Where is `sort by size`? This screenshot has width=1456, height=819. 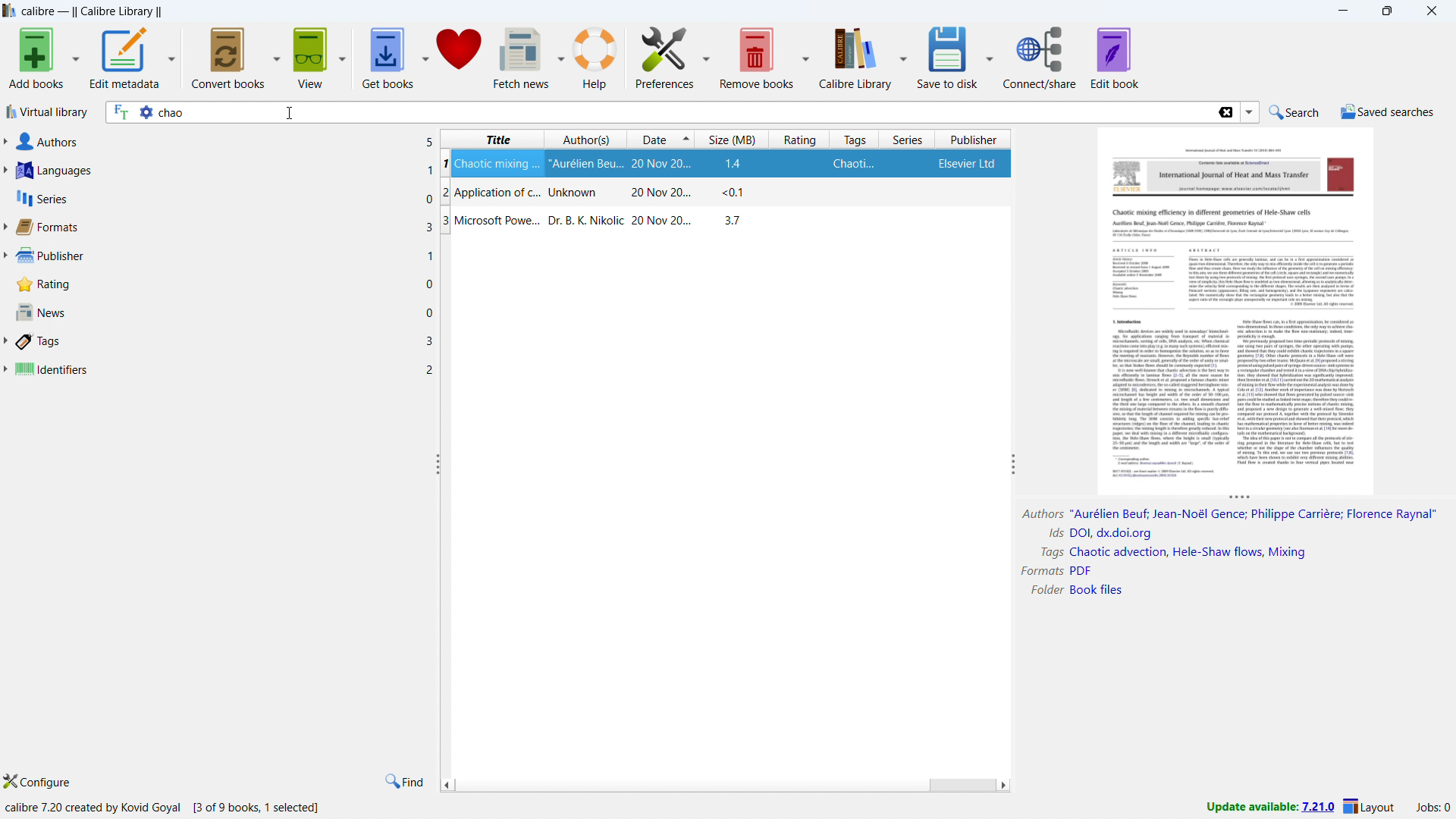 sort by size is located at coordinates (733, 139).